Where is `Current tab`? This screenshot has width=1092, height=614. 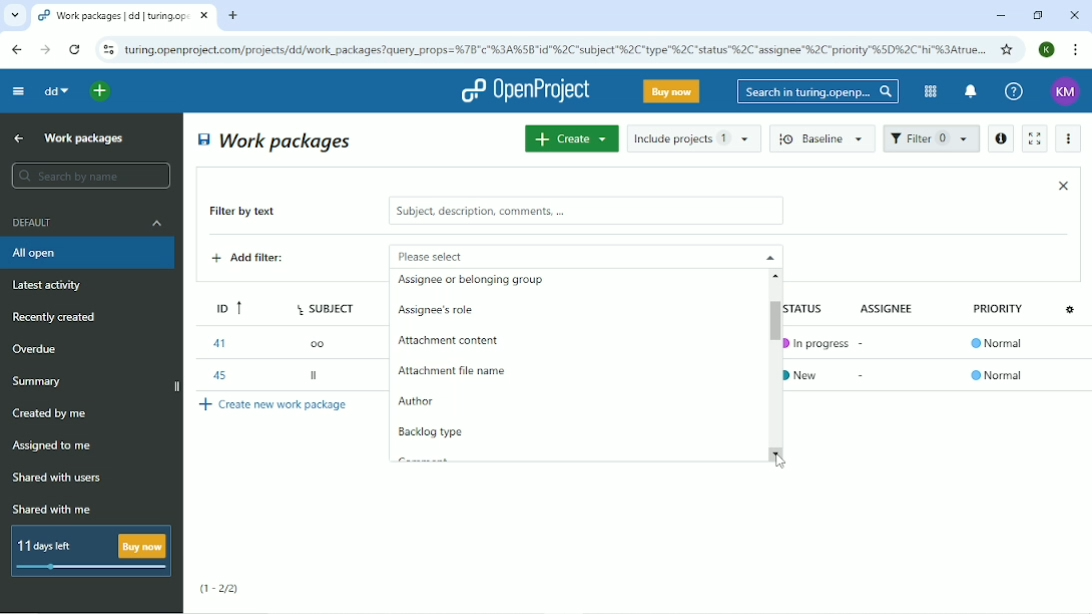 Current tab is located at coordinates (124, 16).